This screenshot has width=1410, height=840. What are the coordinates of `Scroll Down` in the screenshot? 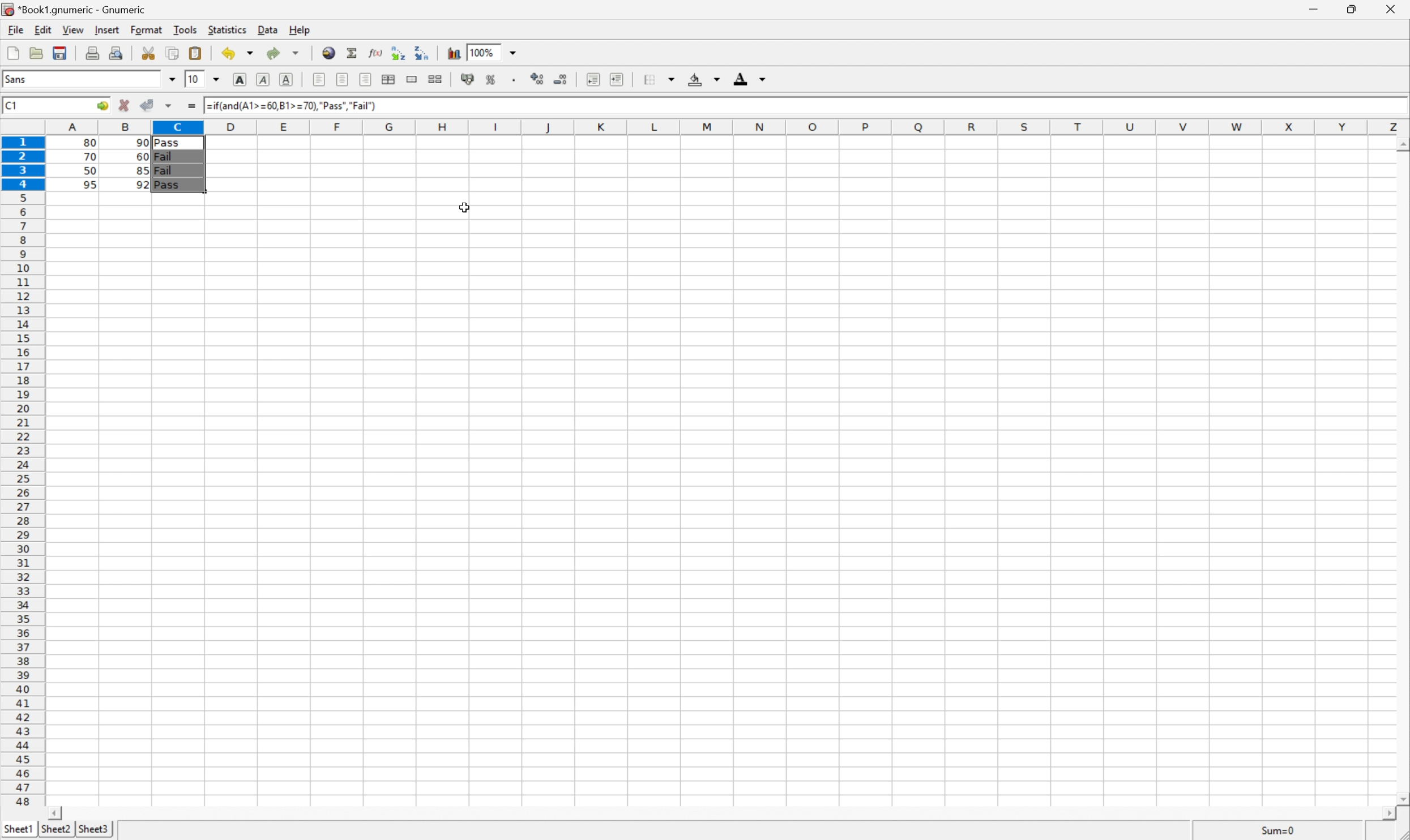 It's located at (1401, 797).